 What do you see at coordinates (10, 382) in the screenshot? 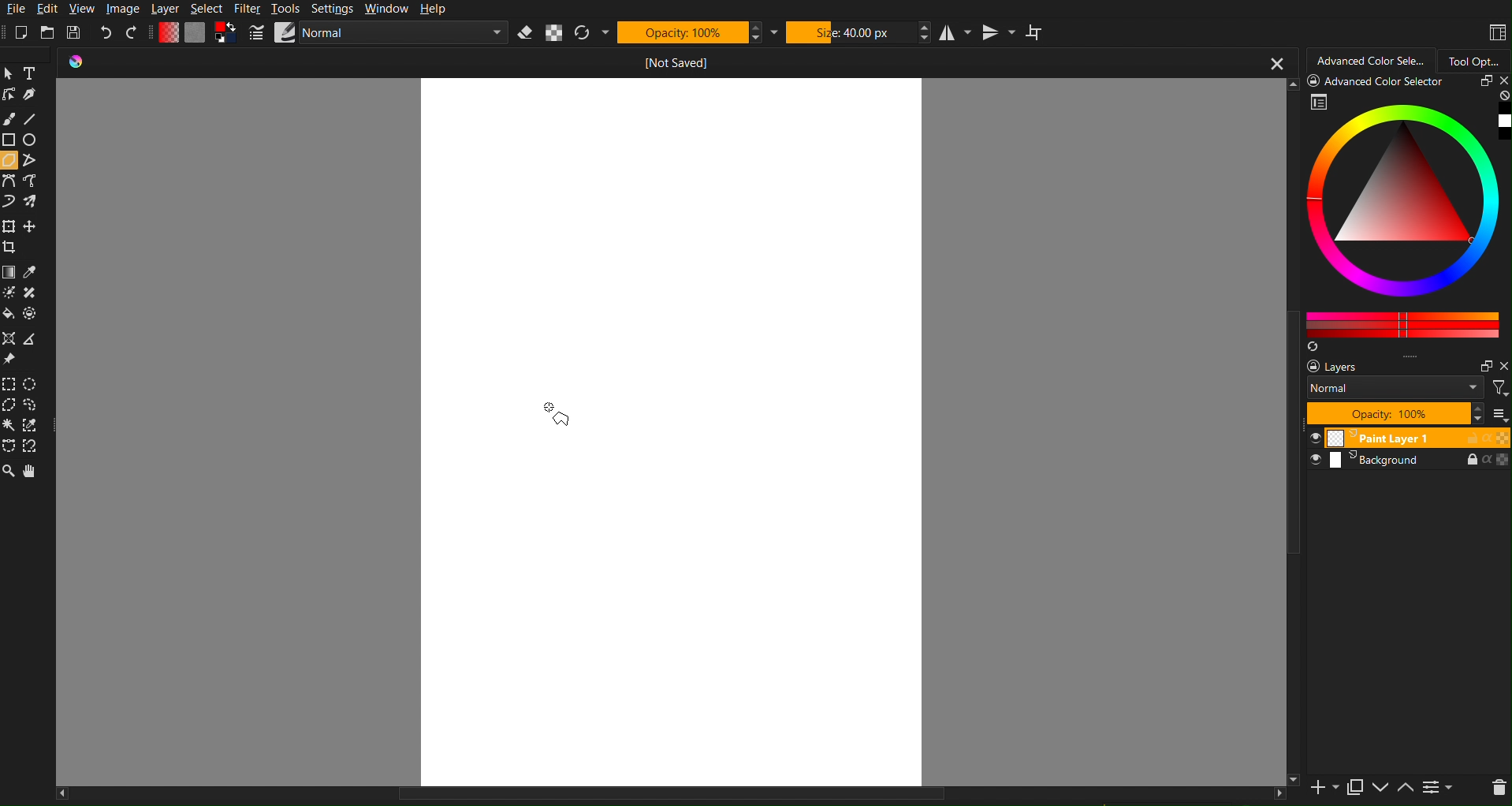
I see `rectangular Selection Tools` at bounding box center [10, 382].